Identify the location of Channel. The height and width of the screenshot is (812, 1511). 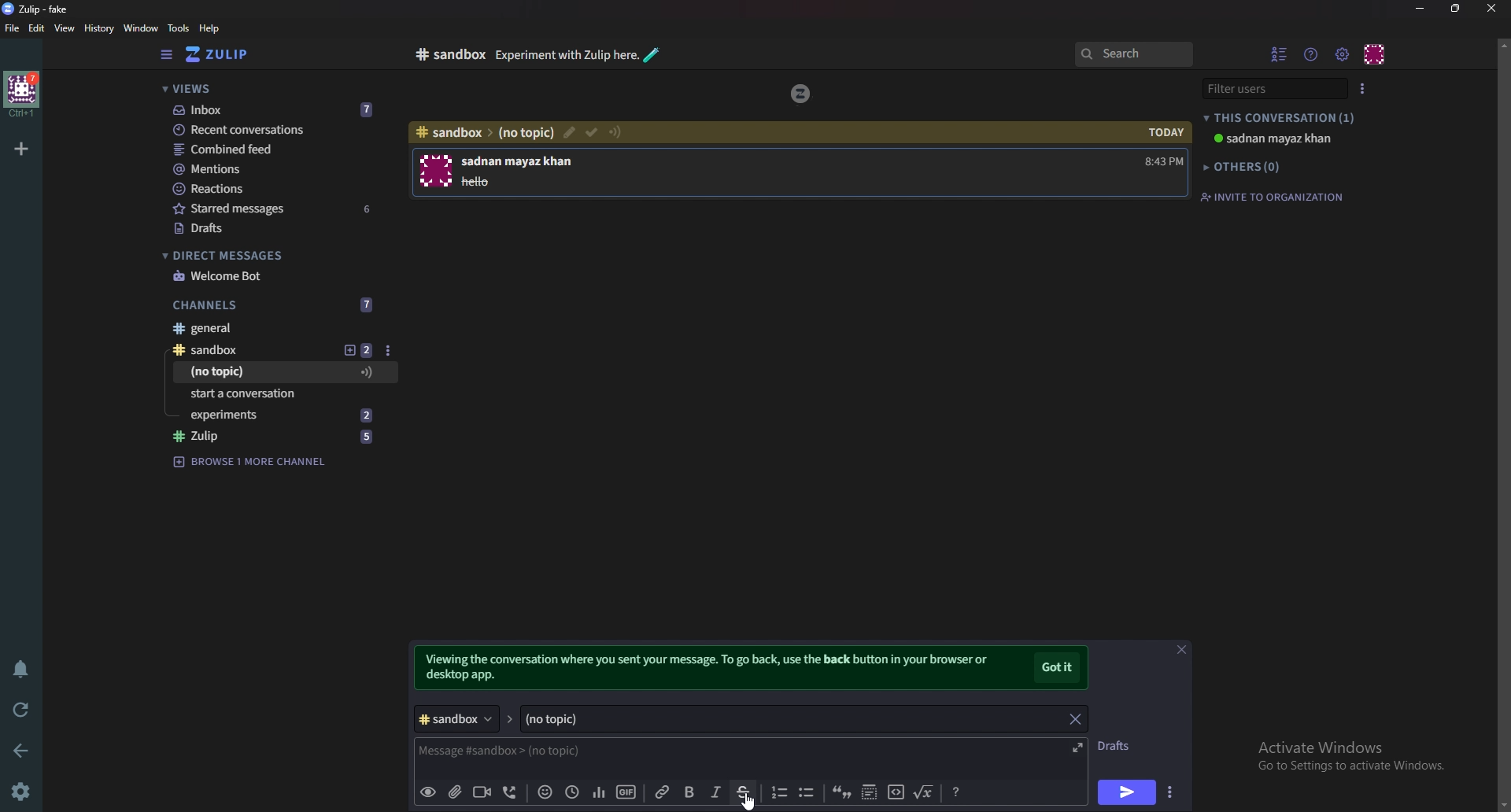
(456, 718).